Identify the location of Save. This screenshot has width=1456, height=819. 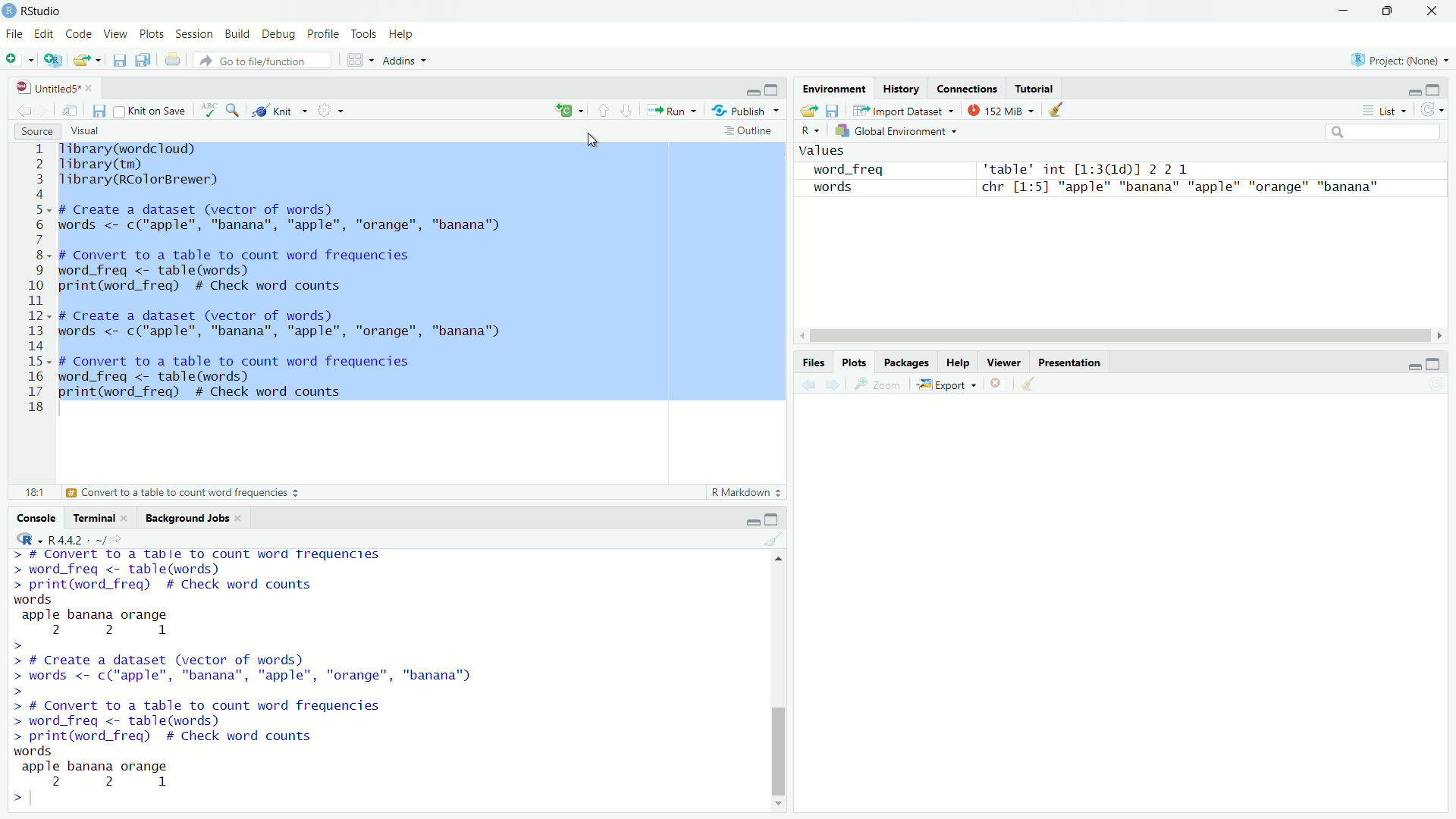
(97, 111).